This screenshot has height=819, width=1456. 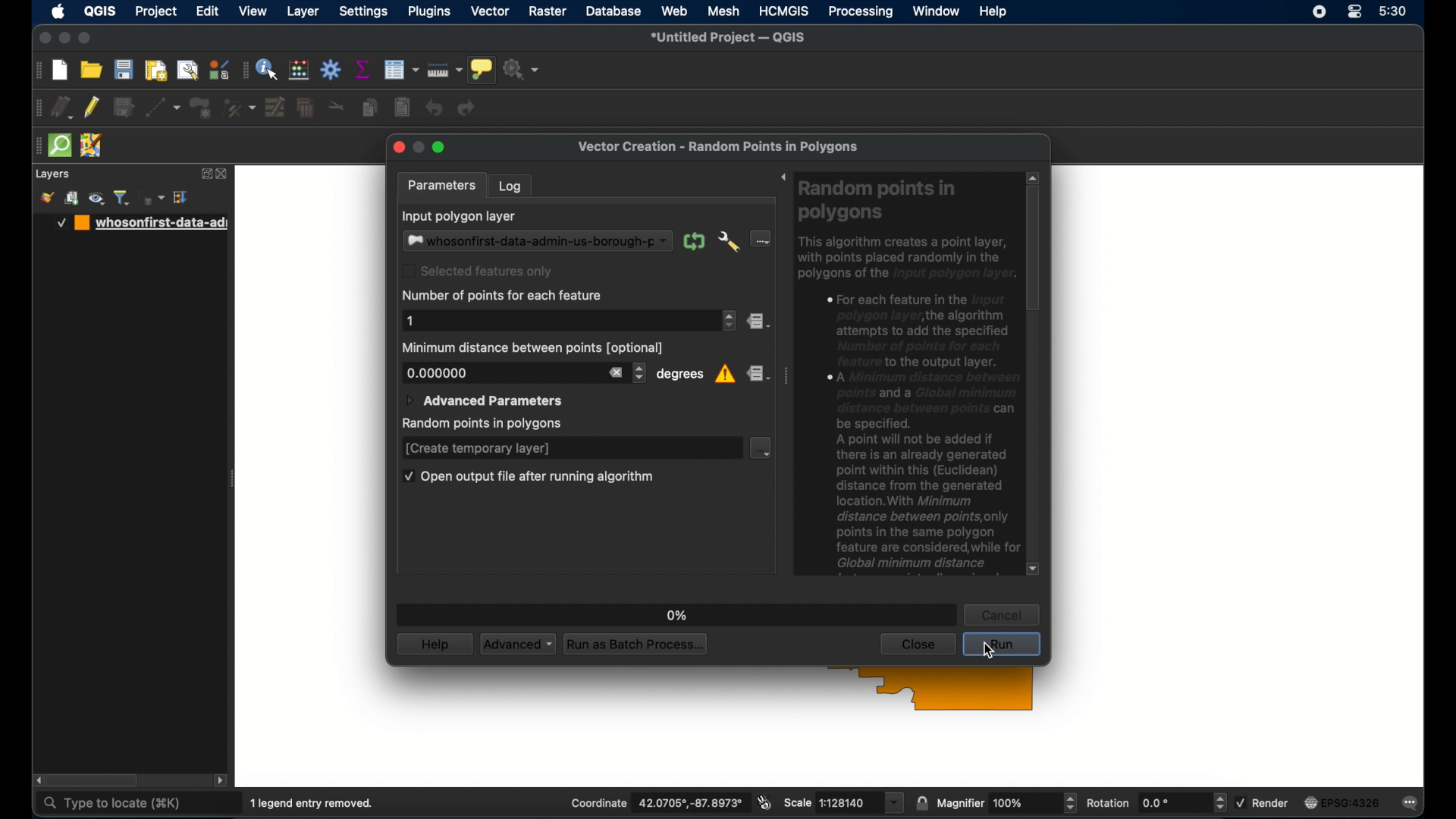 I want to click on 0%, so click(x=677, y=616).